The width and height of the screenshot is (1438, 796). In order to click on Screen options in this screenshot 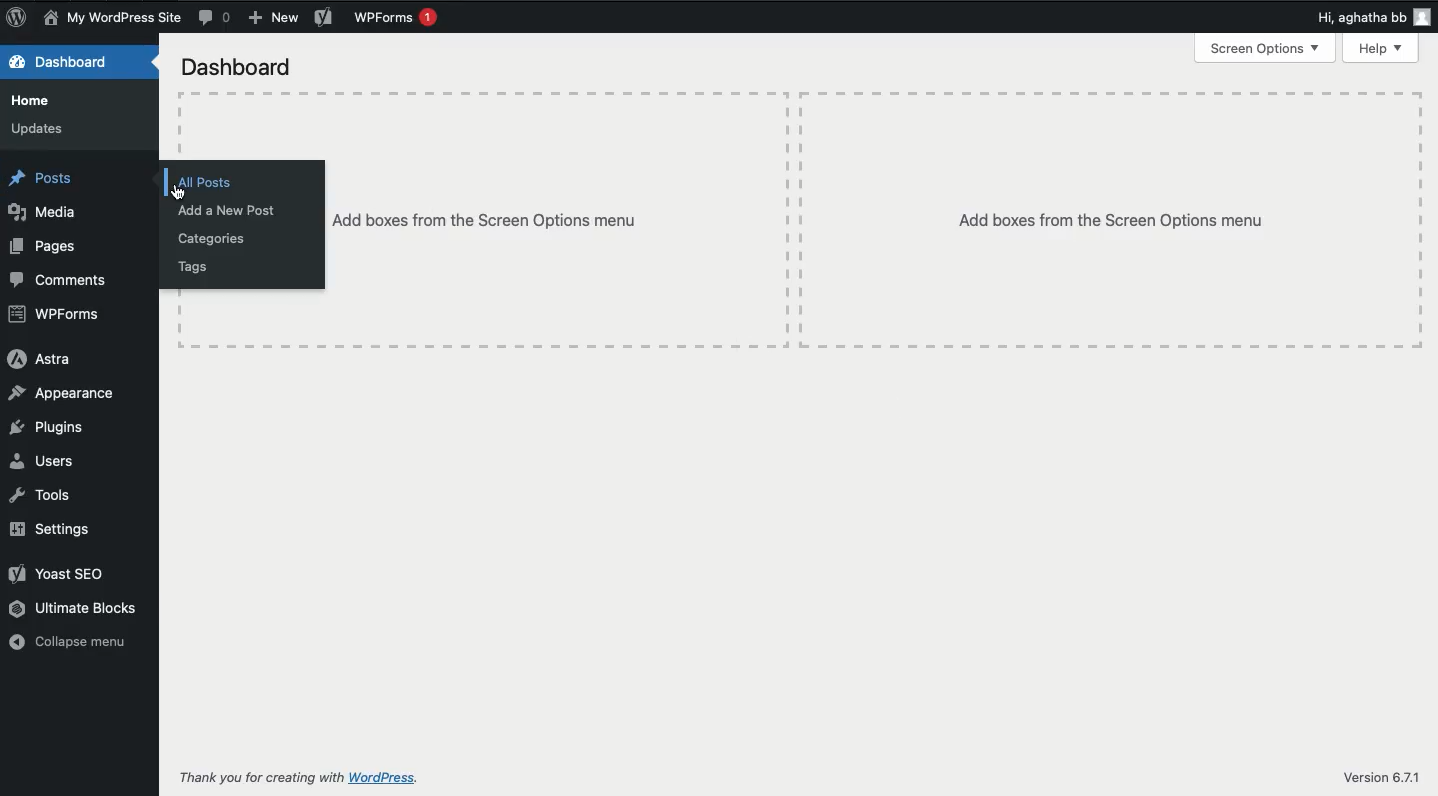, I will do `click(1268, 48)`.